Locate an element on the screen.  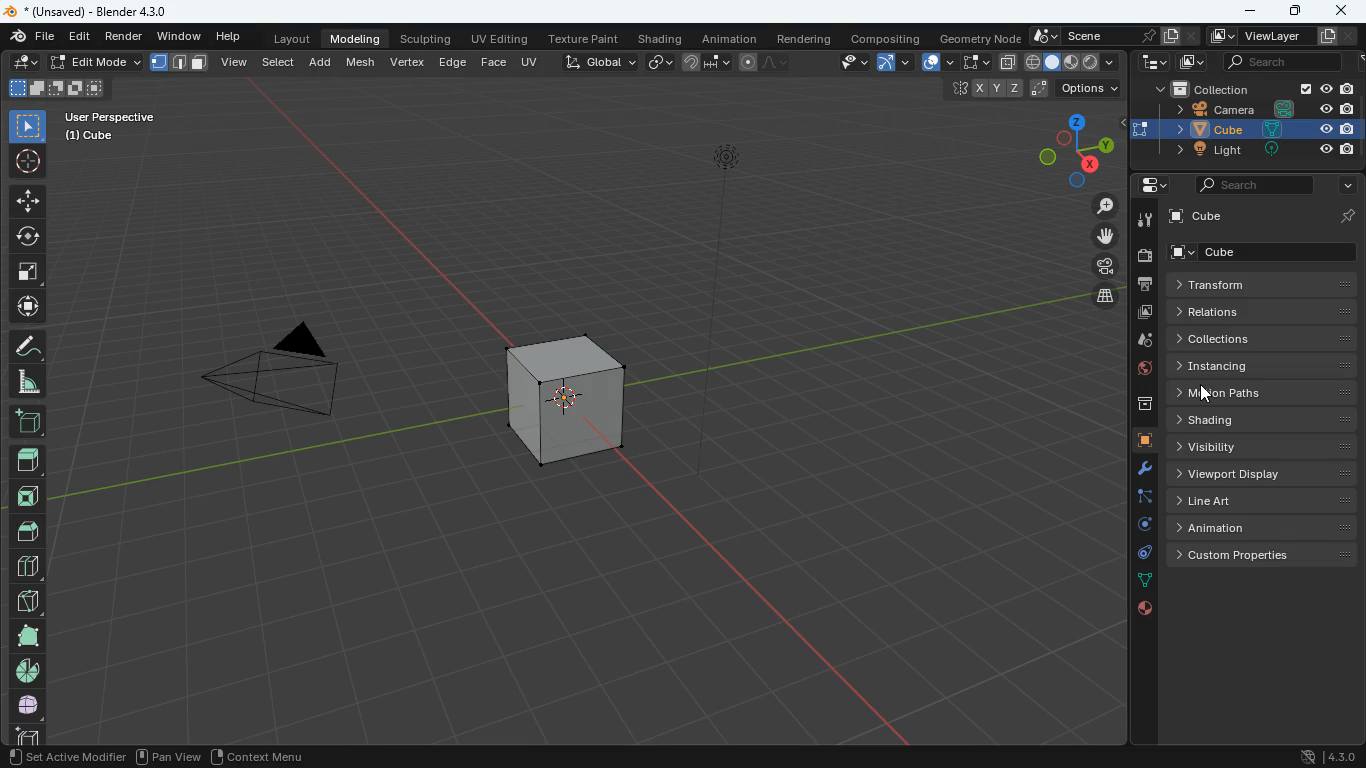
scene is located at coordinates (1109, 36).